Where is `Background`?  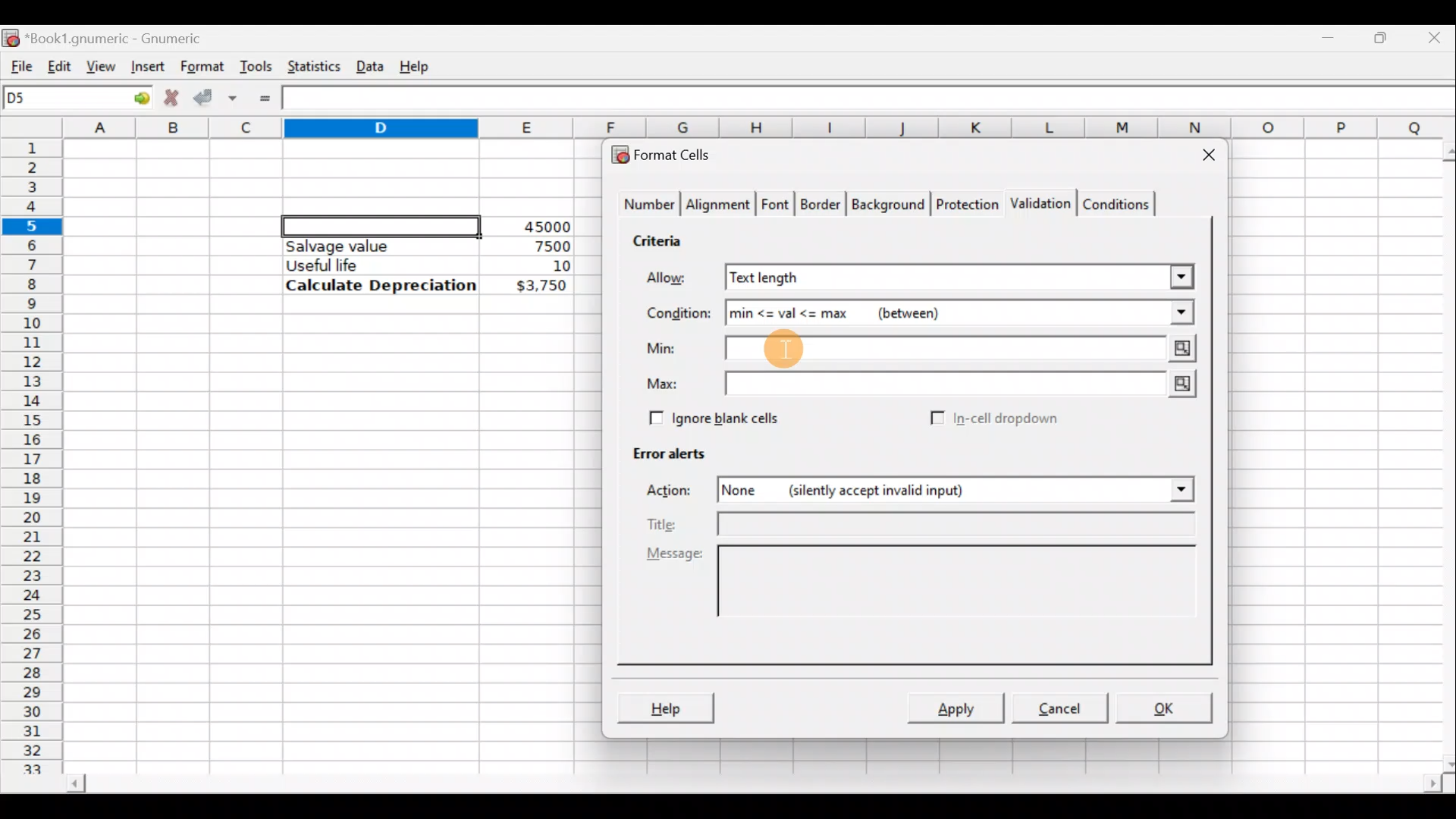
Background is located at coordinates (887, 203).